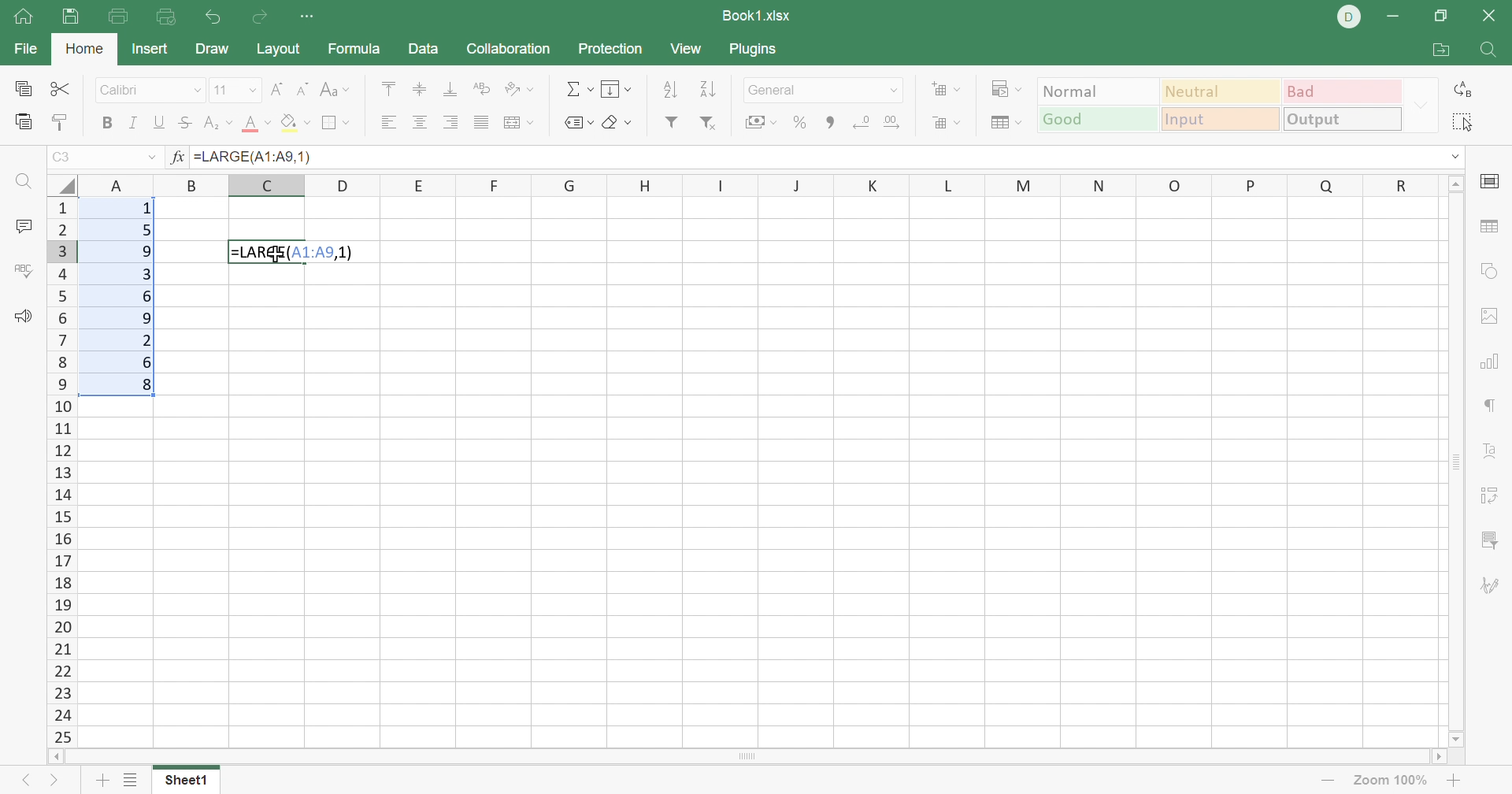 This screenshot has width=1512, height=794. I want to click on Drop Down, so click(152, 156).